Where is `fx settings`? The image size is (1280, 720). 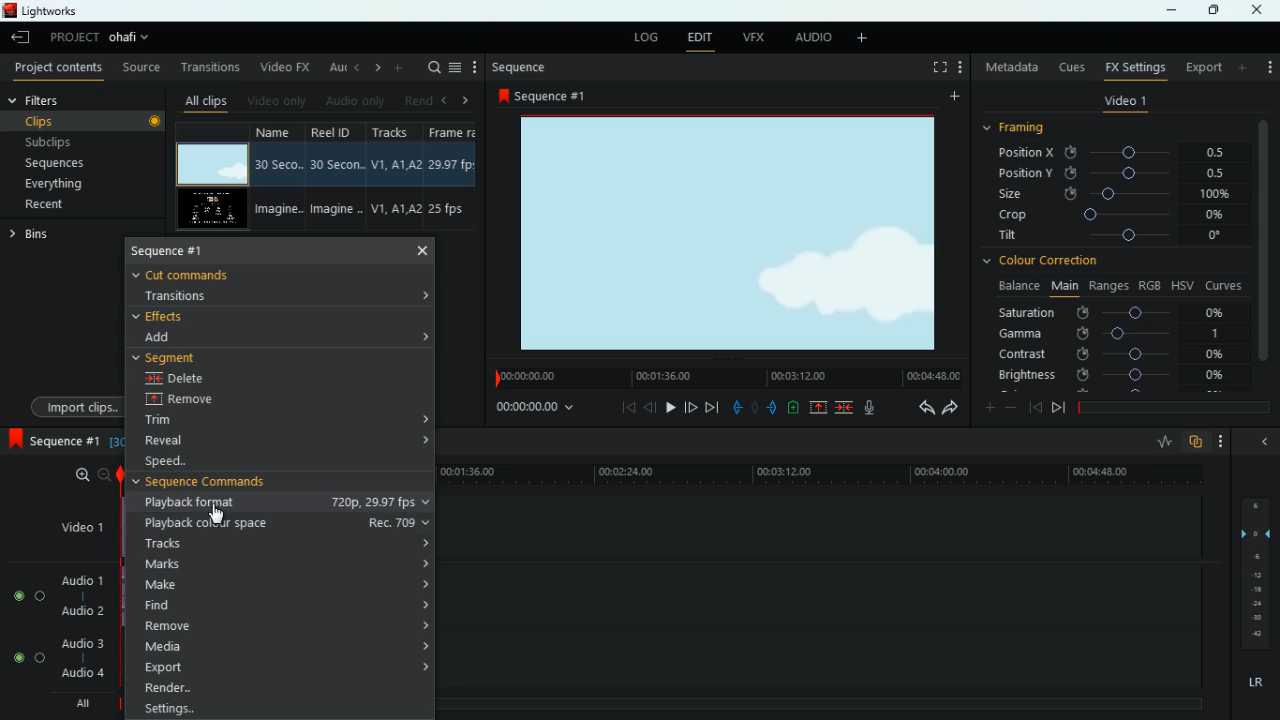
fx settings is located at coordinates (1135, 69).